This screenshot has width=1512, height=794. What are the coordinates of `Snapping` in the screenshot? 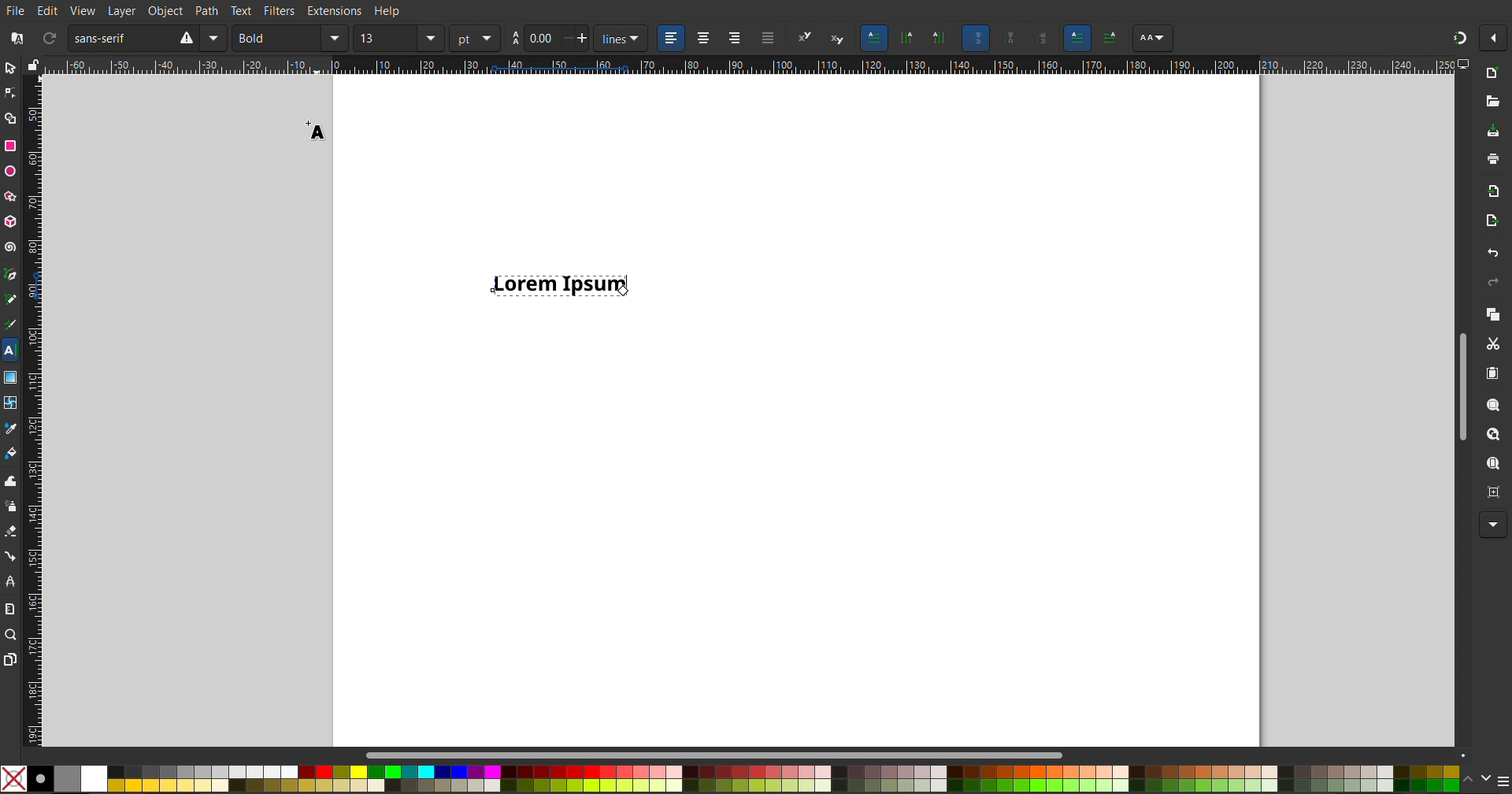 It's located at (1459, 35).